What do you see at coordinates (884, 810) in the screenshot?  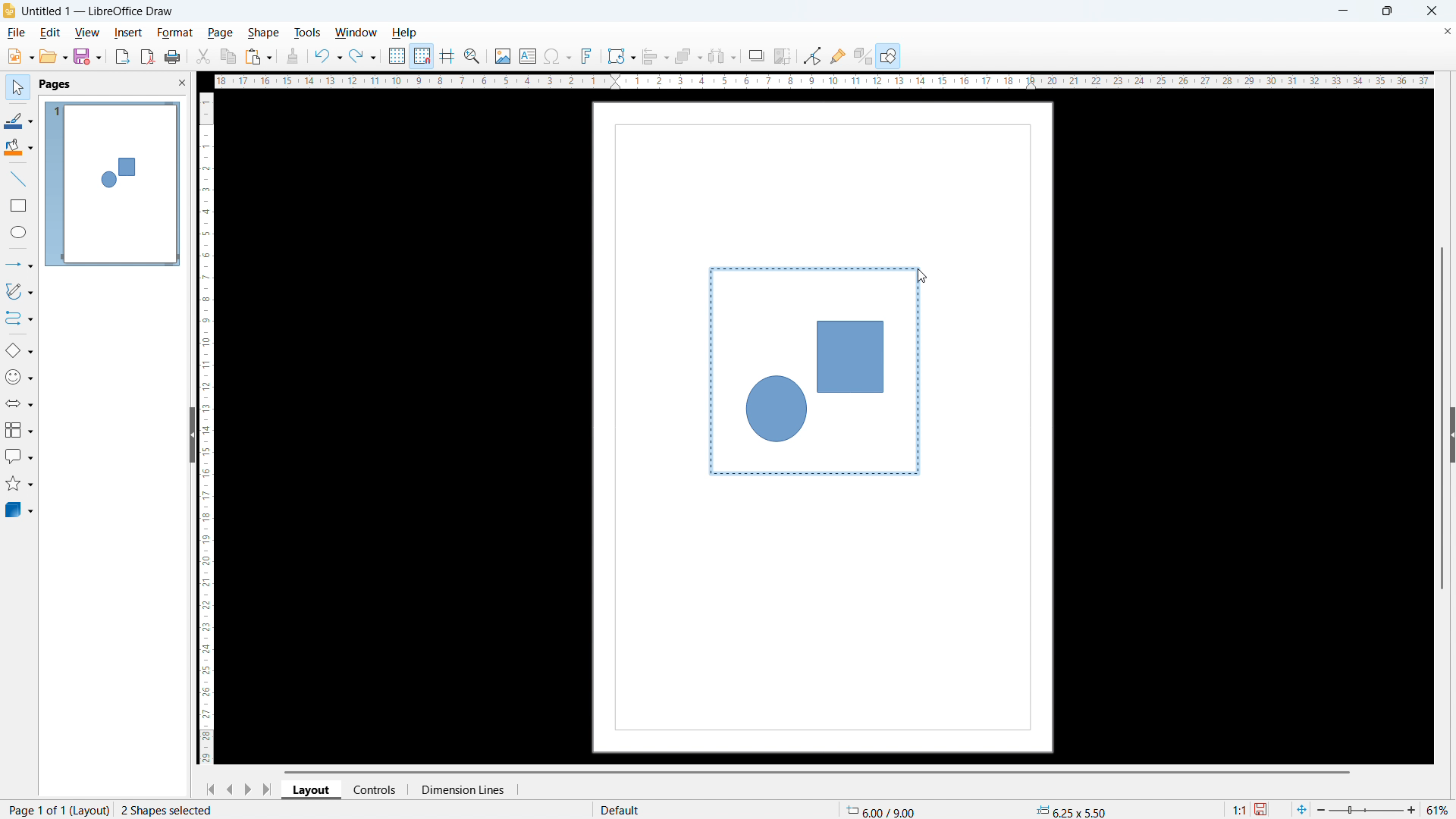 I see `cursor coordinate` at bounding box center [884, 810].